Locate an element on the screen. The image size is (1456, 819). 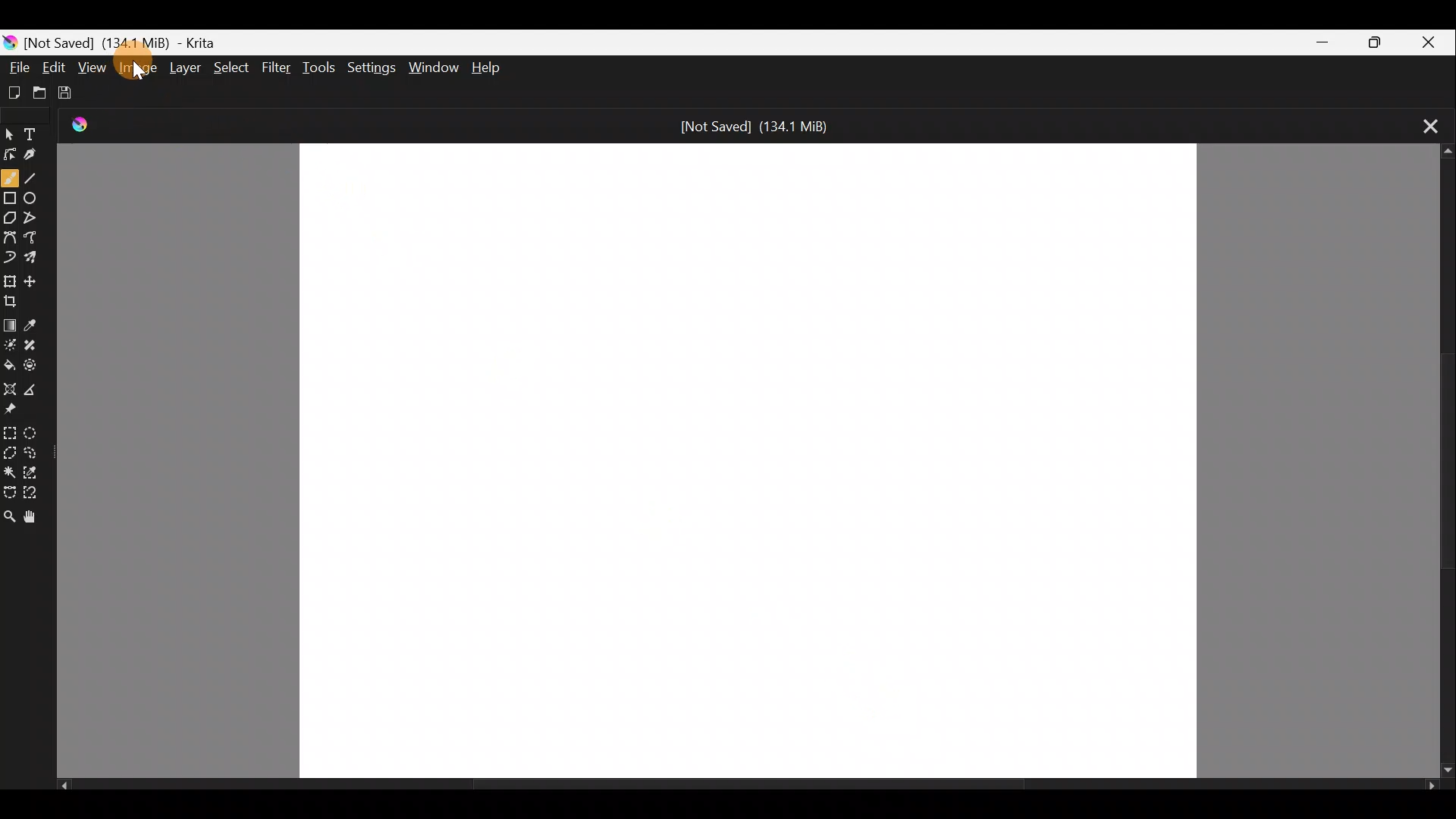
Measure the distance between two points is located at coordinates (35, 391).